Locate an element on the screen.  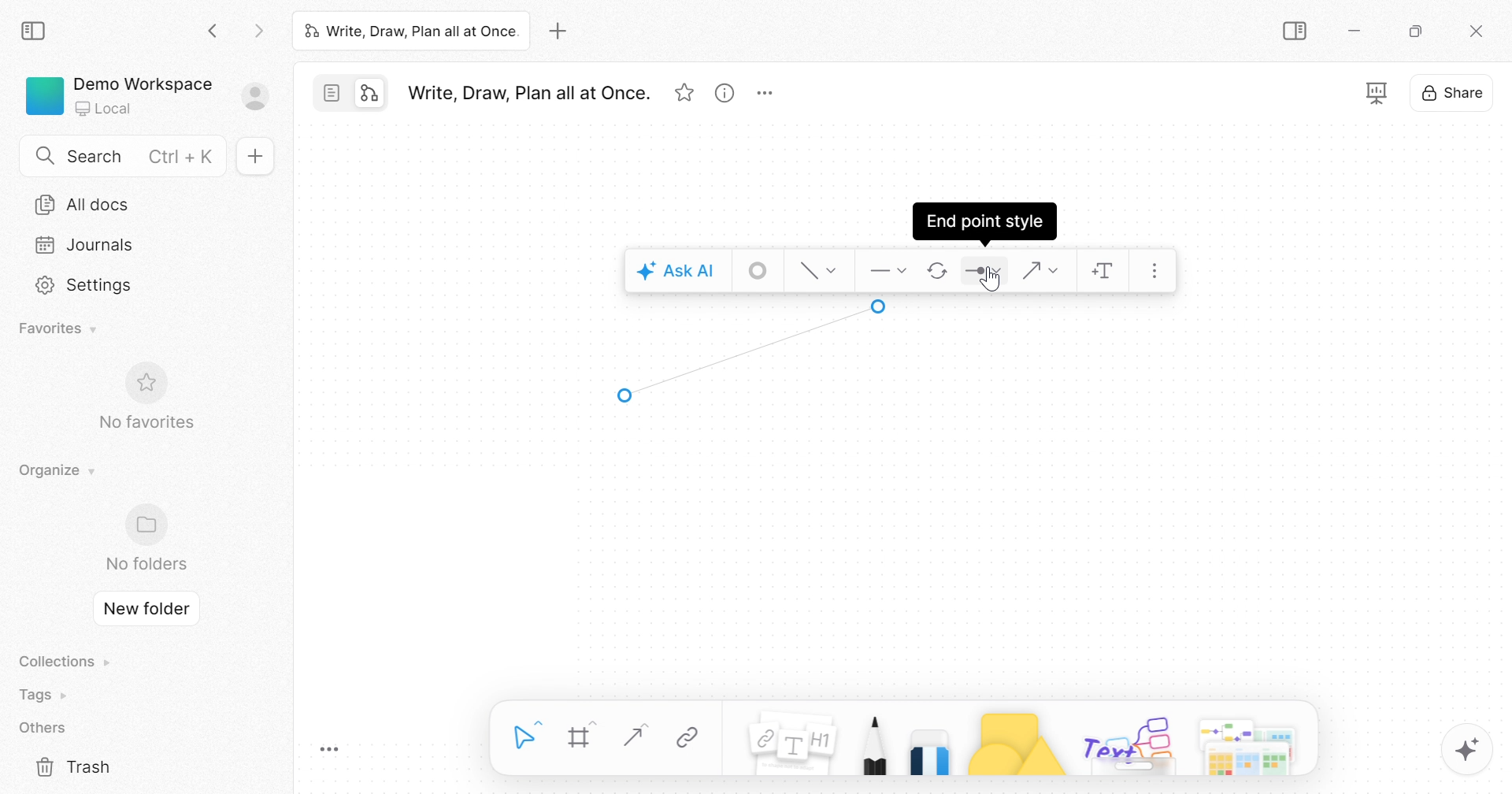
All docs is located at coordinates (88, 203).